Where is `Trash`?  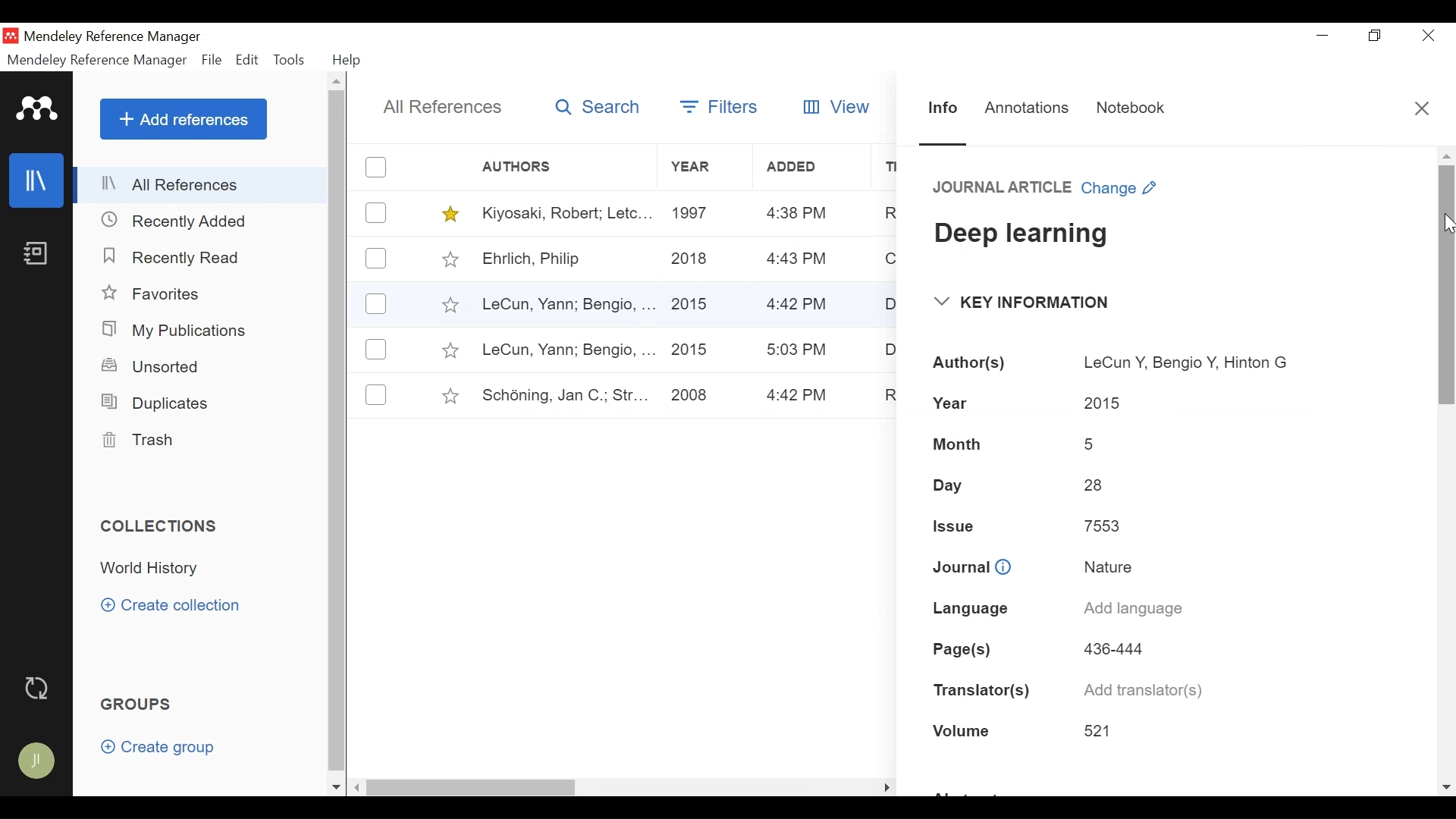 Trash is located at coordinates (137, 441).